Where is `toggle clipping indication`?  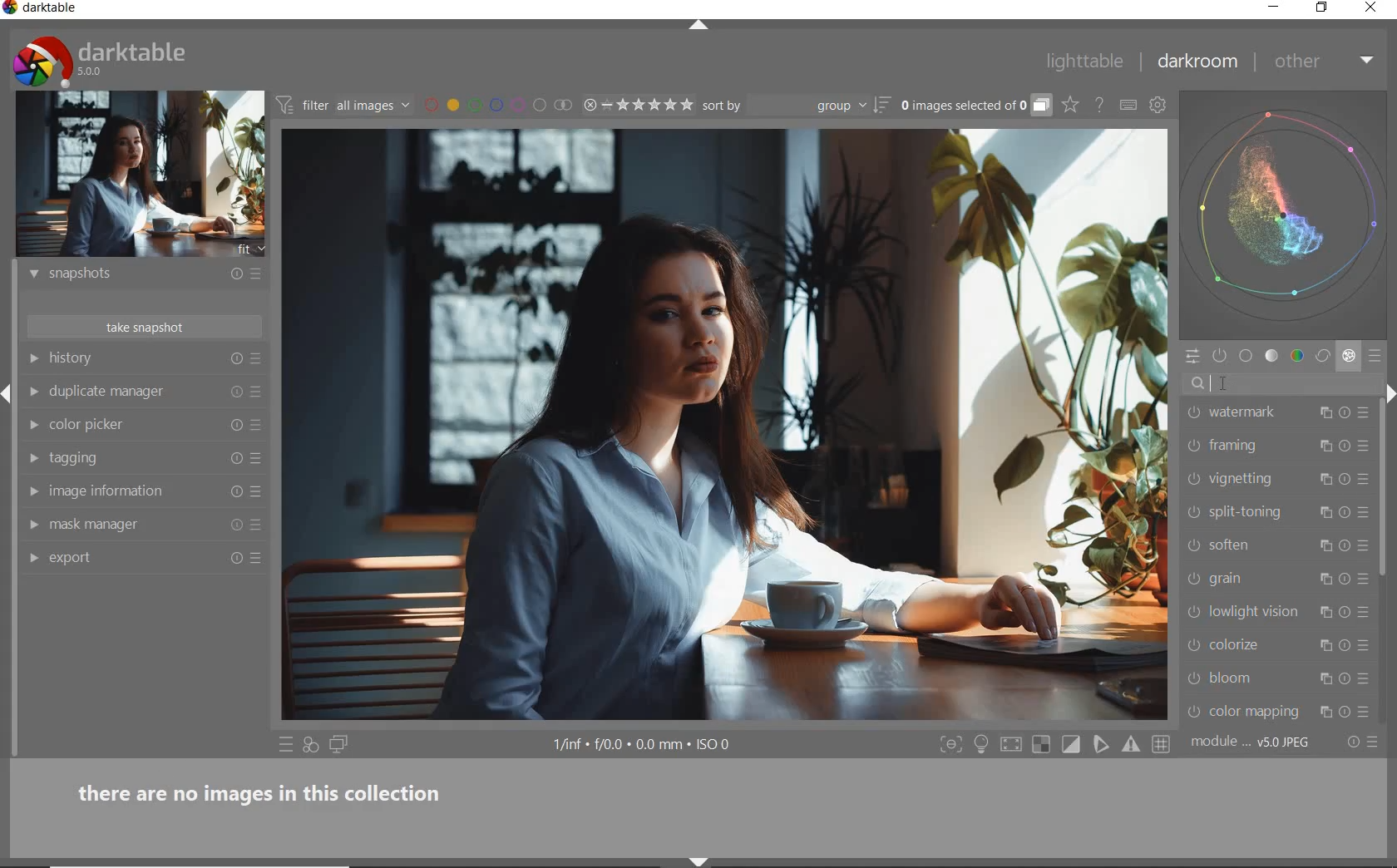 toggle clipping indication is located at coordinates (1073, 744).